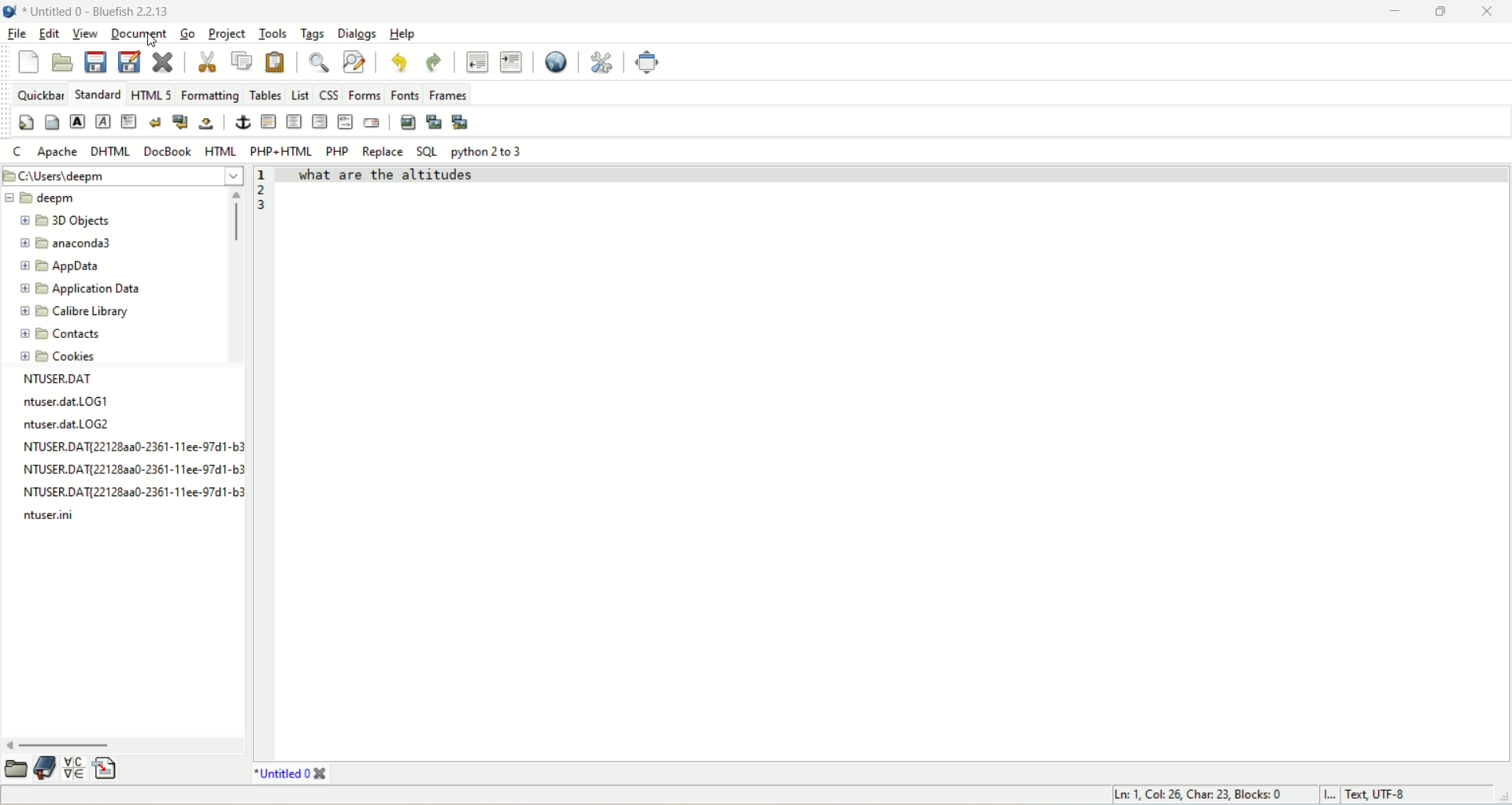  What do you see at coordinates (1489, 11) in the screenshot?
I see `close` at bounding box center [1489, 11].